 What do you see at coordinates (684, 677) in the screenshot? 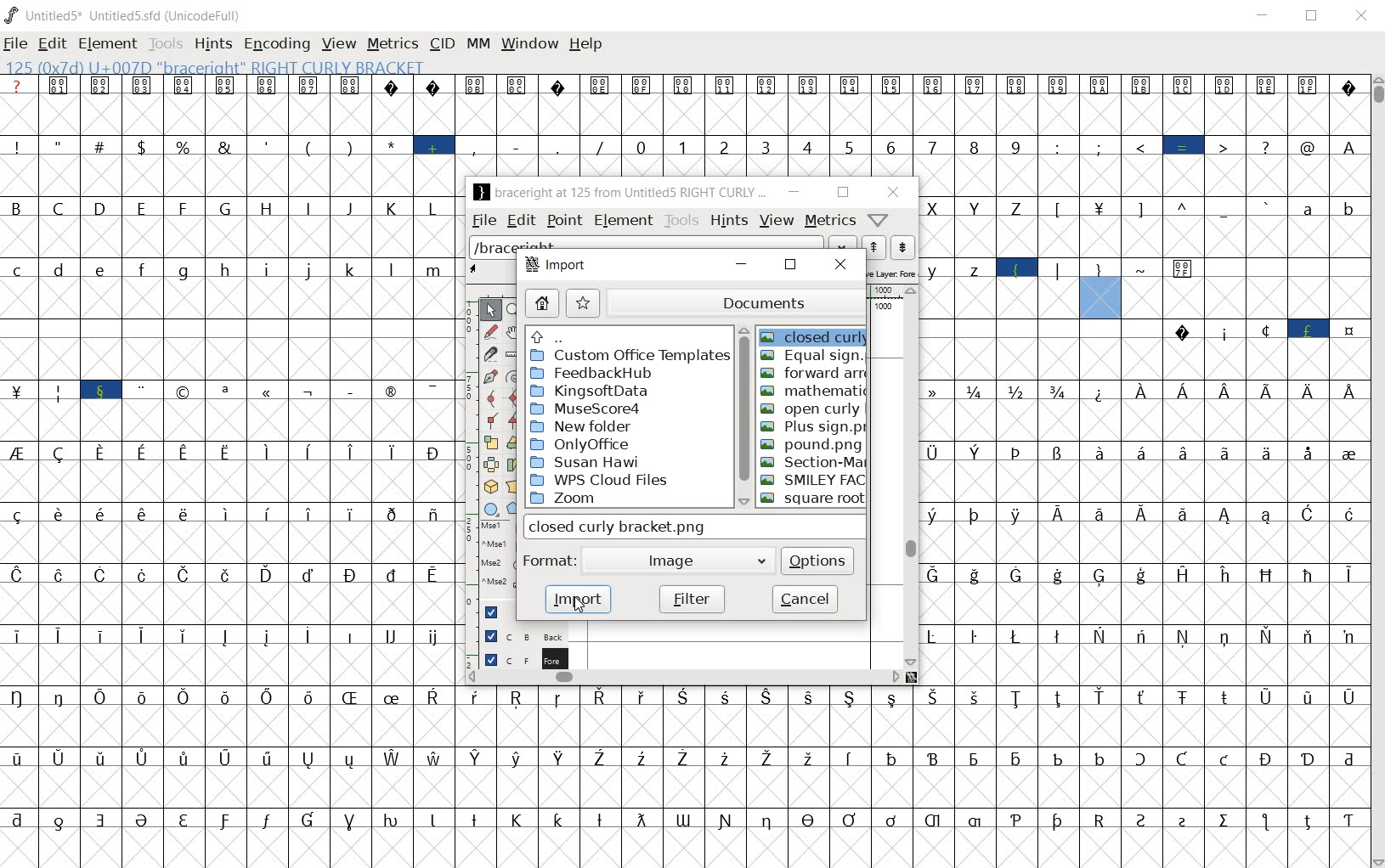
I see `scrollbar` at bounding box center [684, 677].